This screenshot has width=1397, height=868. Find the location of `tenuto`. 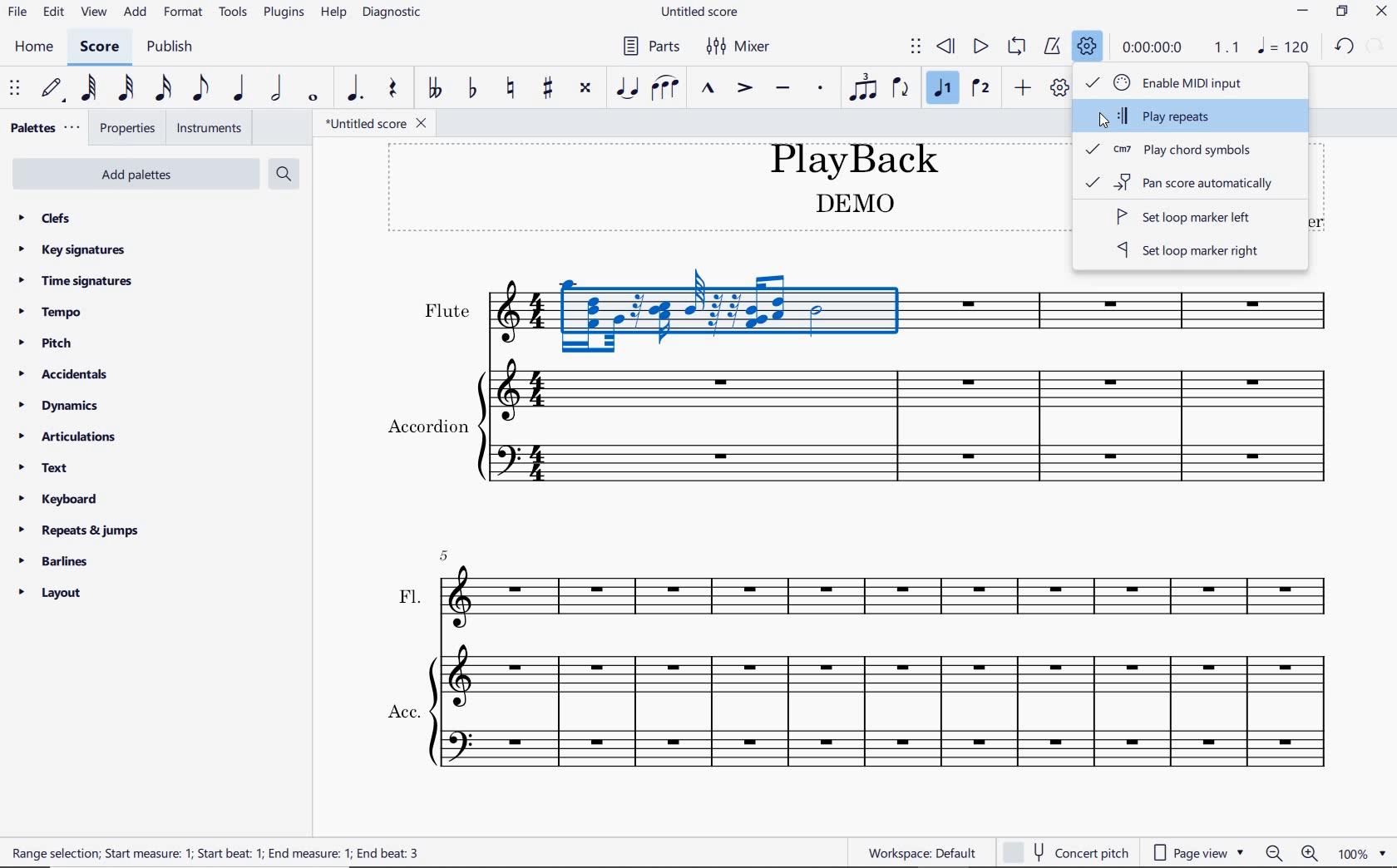

tenuto is located at coordinates (782, 89).